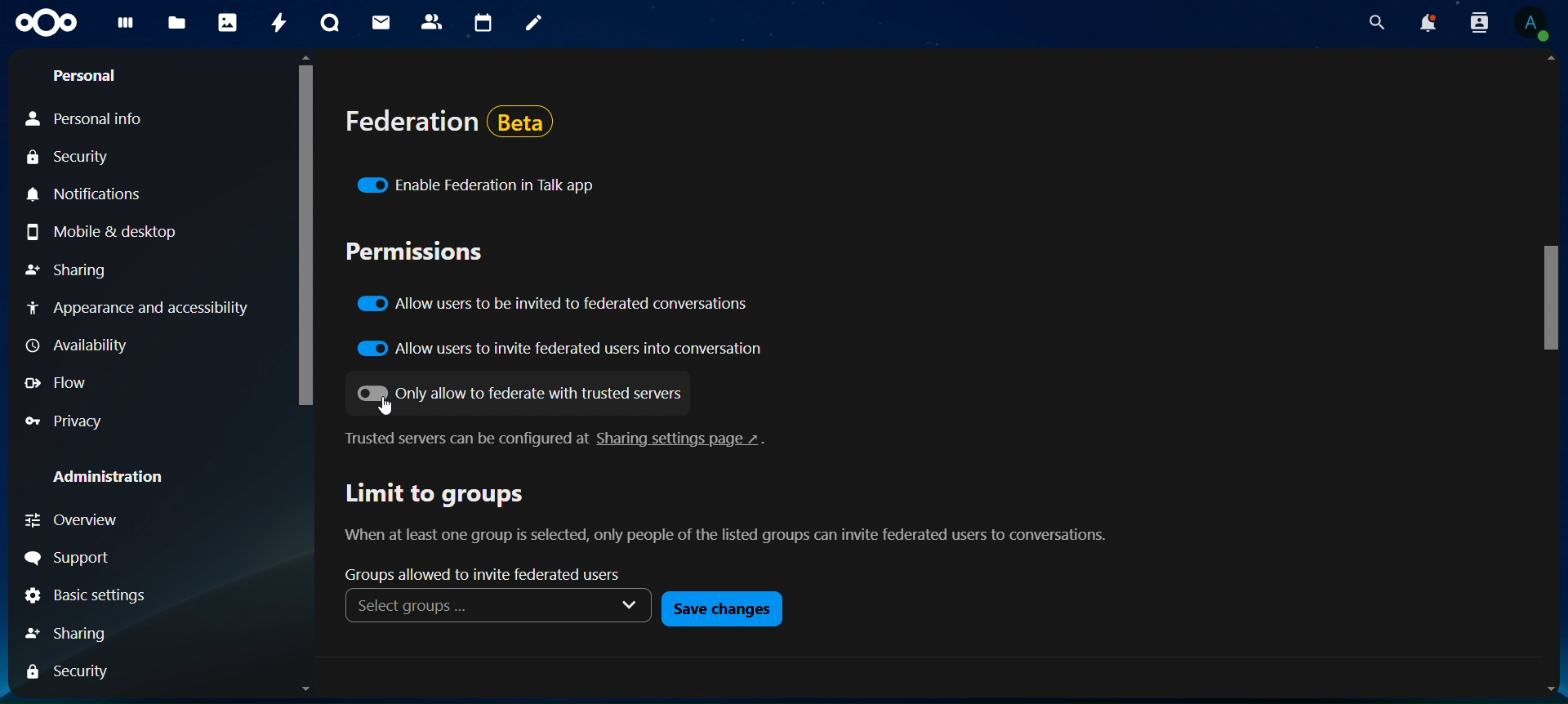  Describe the element at coordinates (71, 424) in the screenshot. I see `privacy` at that location.